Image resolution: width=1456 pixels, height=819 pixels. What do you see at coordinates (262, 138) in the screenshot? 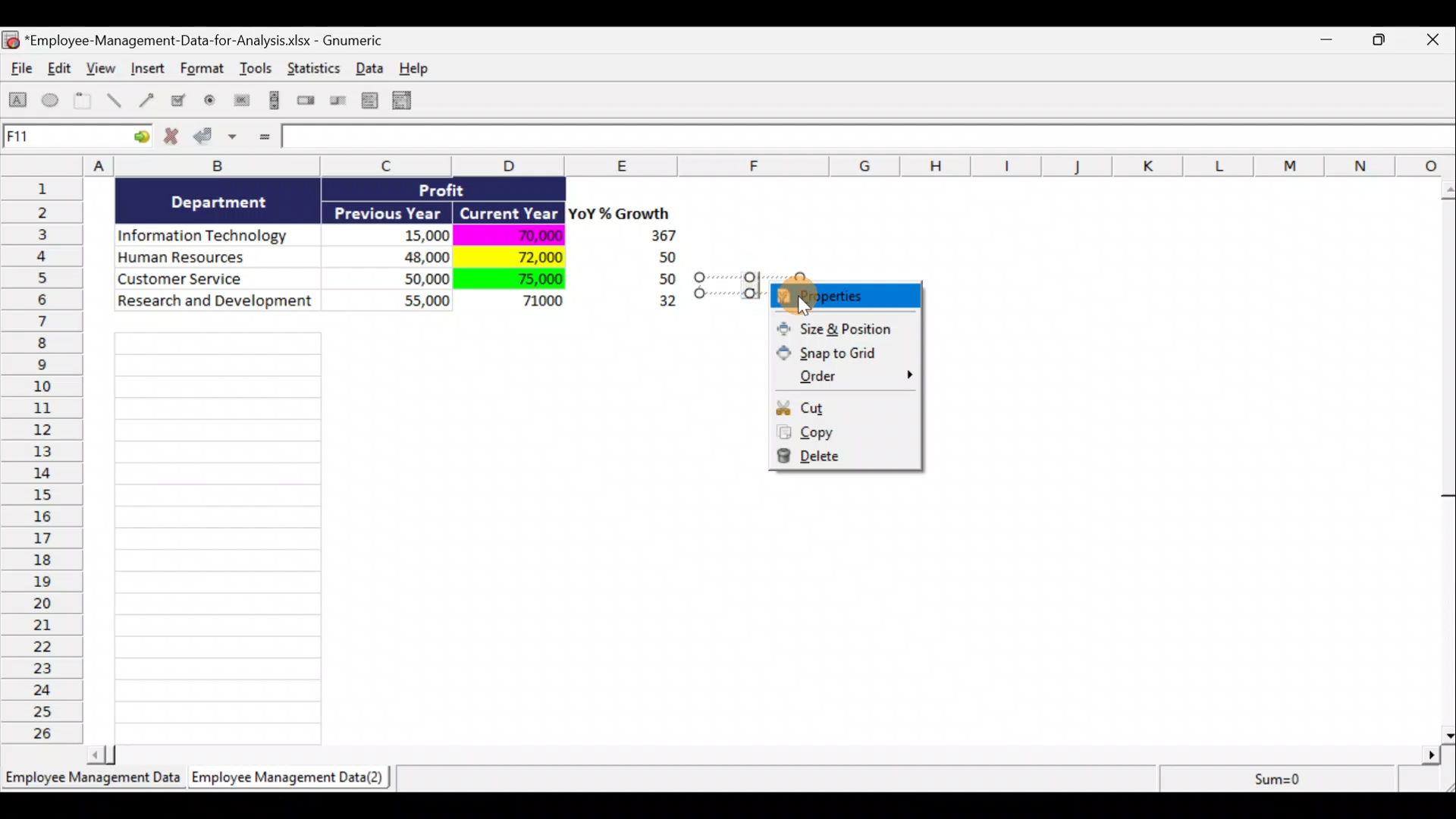
I see `Enter formula` at bounding box center [262, 138].